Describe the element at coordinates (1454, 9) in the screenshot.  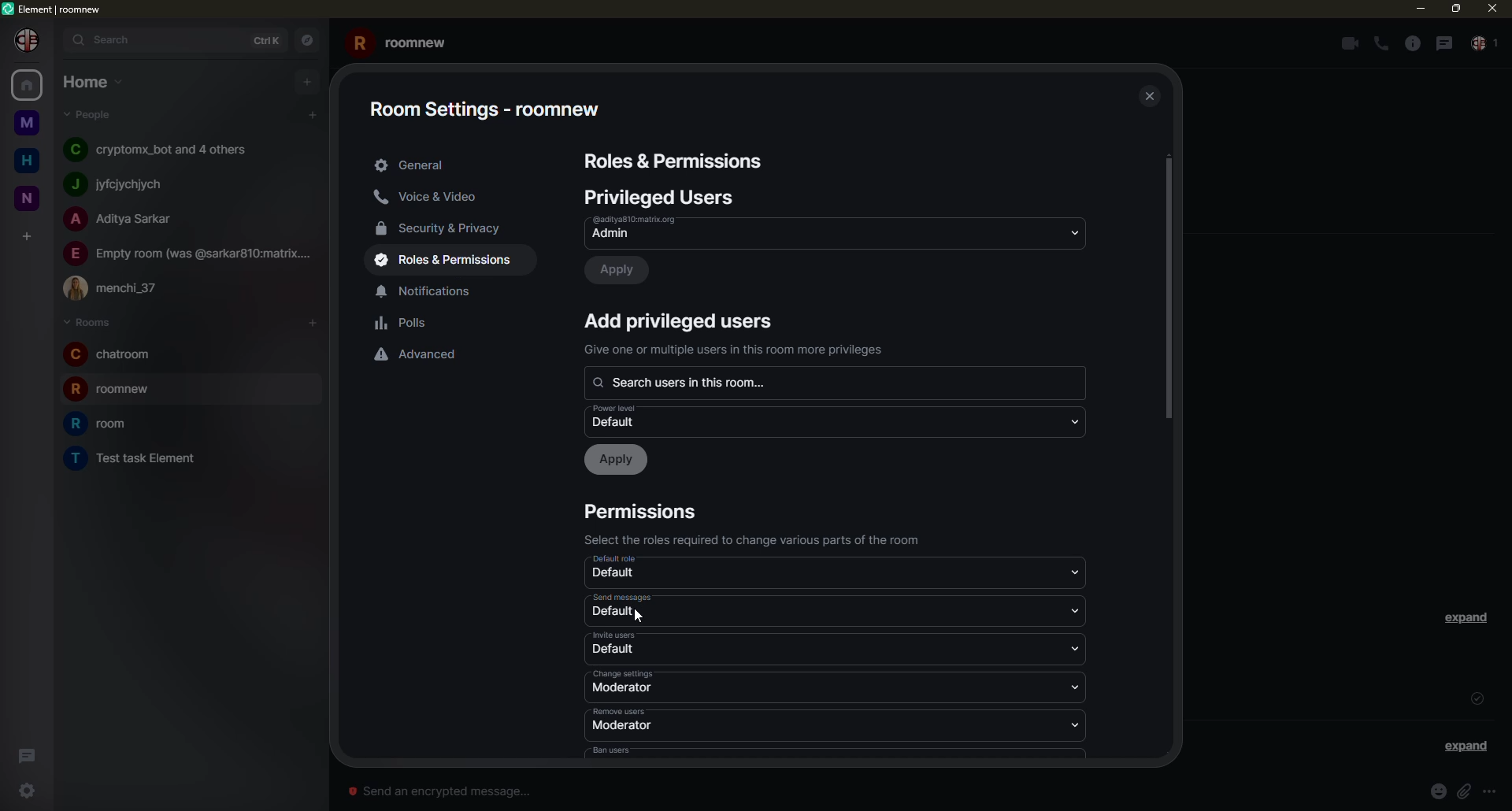
I see `max` at that location.